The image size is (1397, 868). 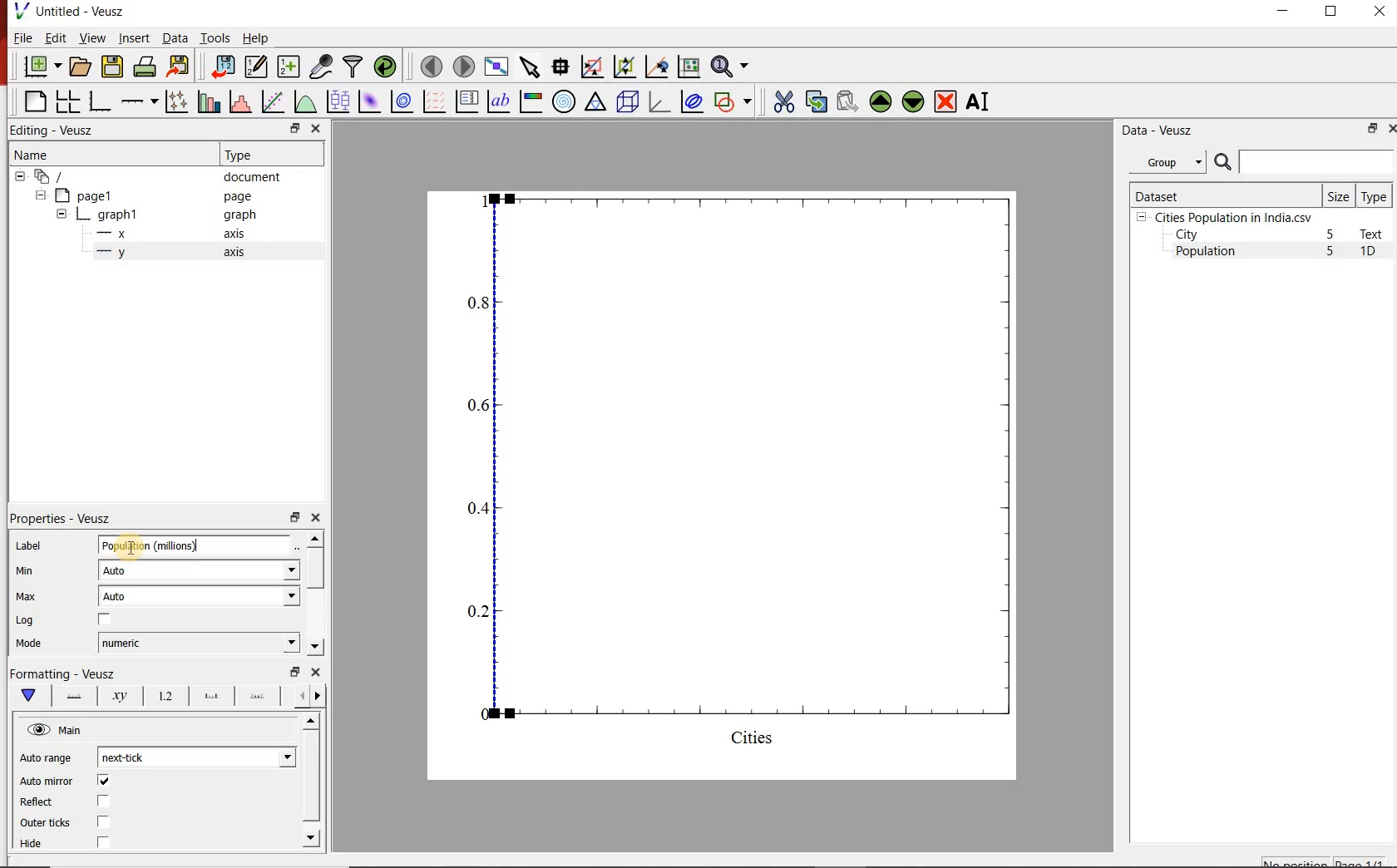 What do you see at coordinates (368, 100) in the screenshot?
I see `plot a 2d dataset as an image` at bounding box center [368, 100].